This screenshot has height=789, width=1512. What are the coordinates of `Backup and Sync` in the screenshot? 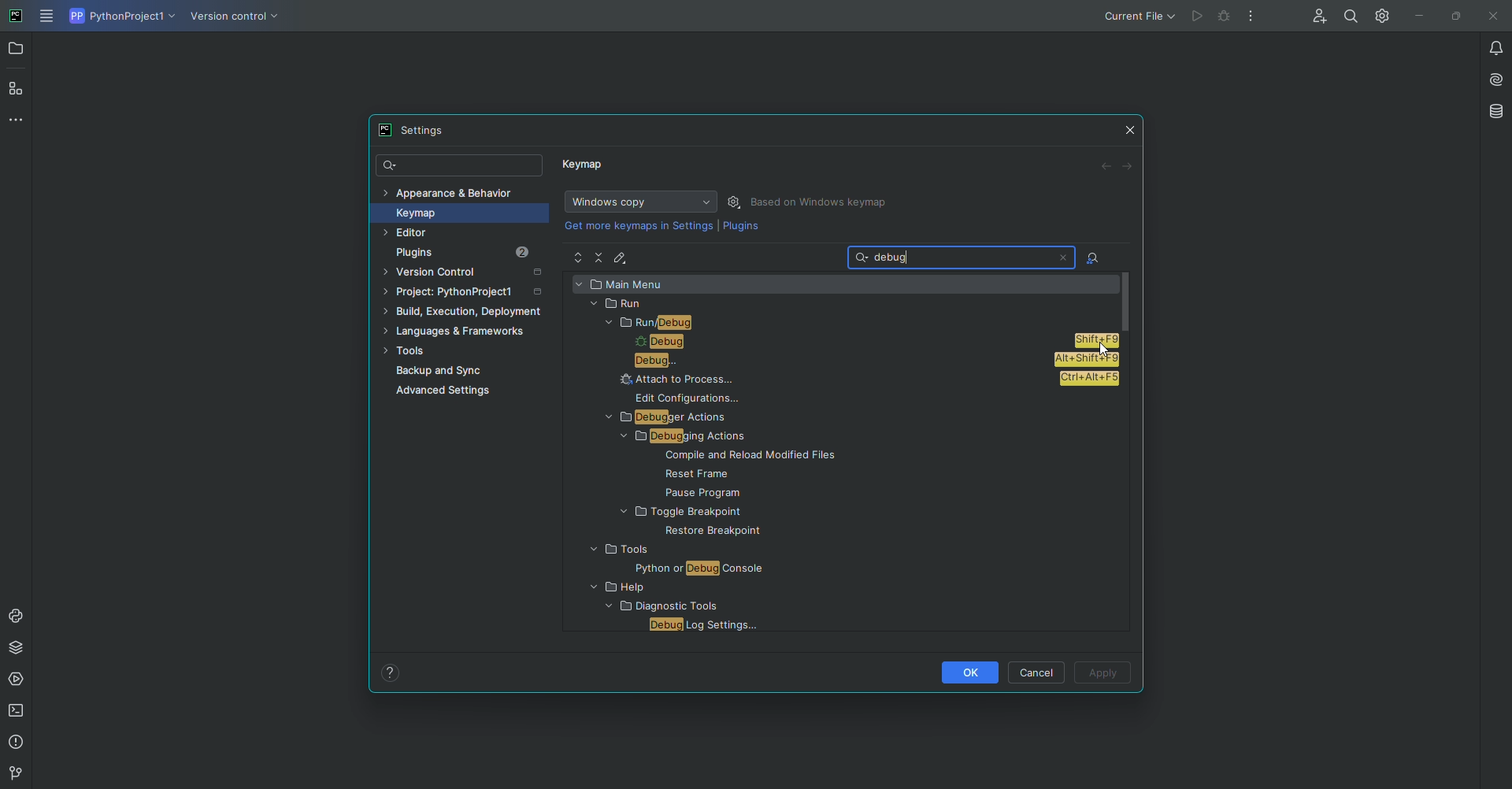 It's located at (471, 371).